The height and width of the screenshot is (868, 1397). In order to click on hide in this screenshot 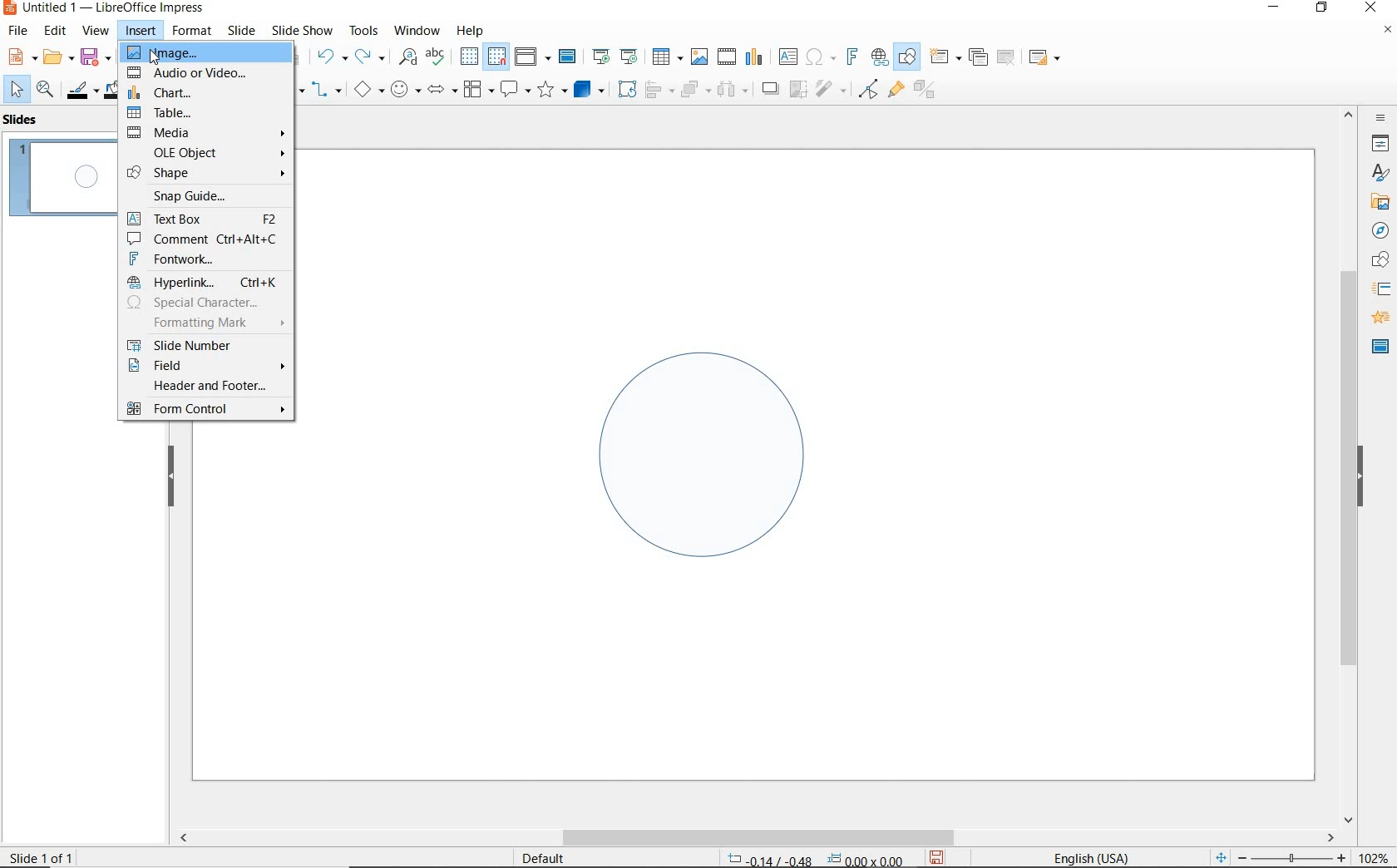, I will do `click(1360, 478)`.